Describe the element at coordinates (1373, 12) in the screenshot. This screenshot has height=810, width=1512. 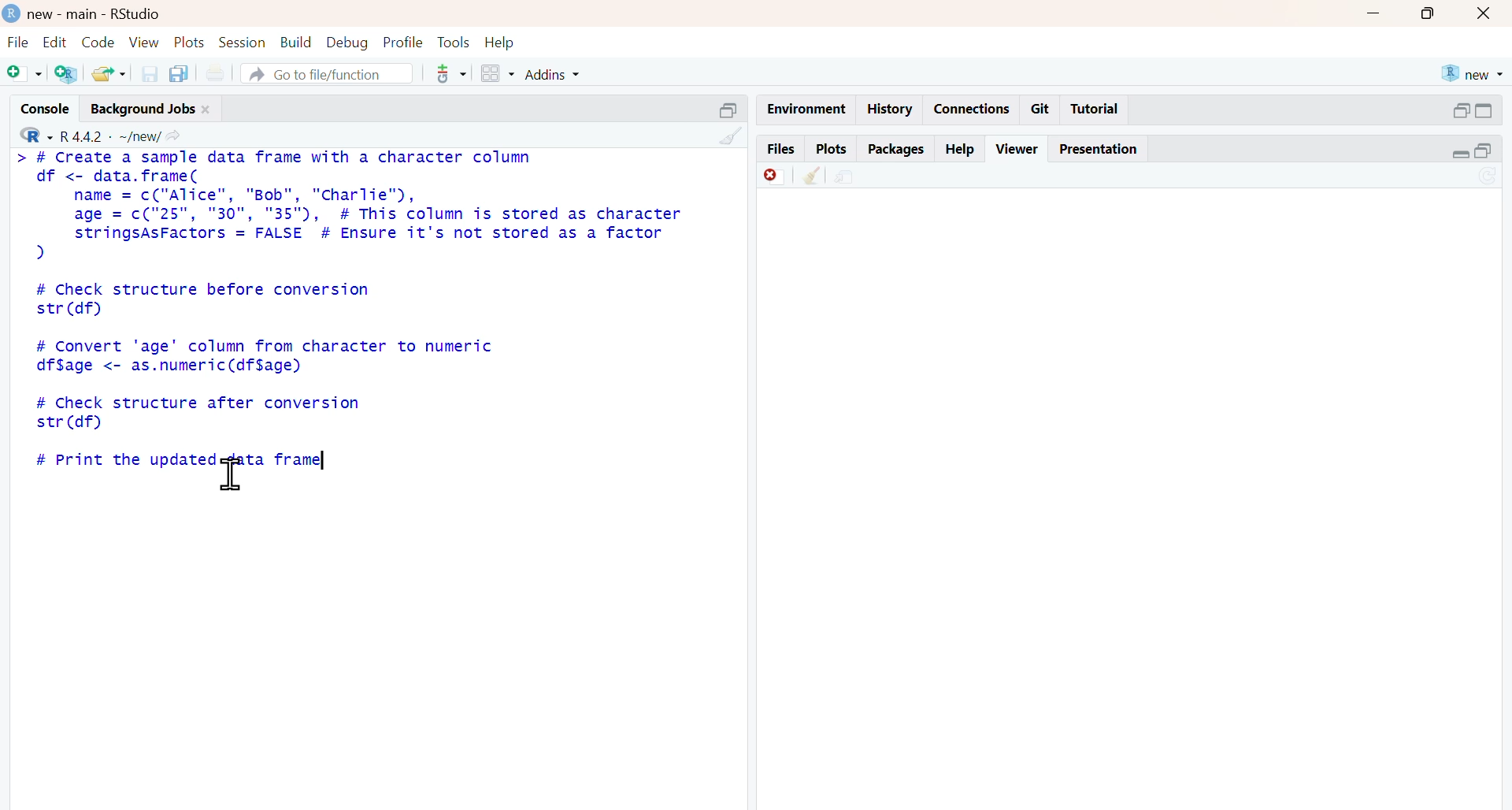
I see `Minimise` at that location.